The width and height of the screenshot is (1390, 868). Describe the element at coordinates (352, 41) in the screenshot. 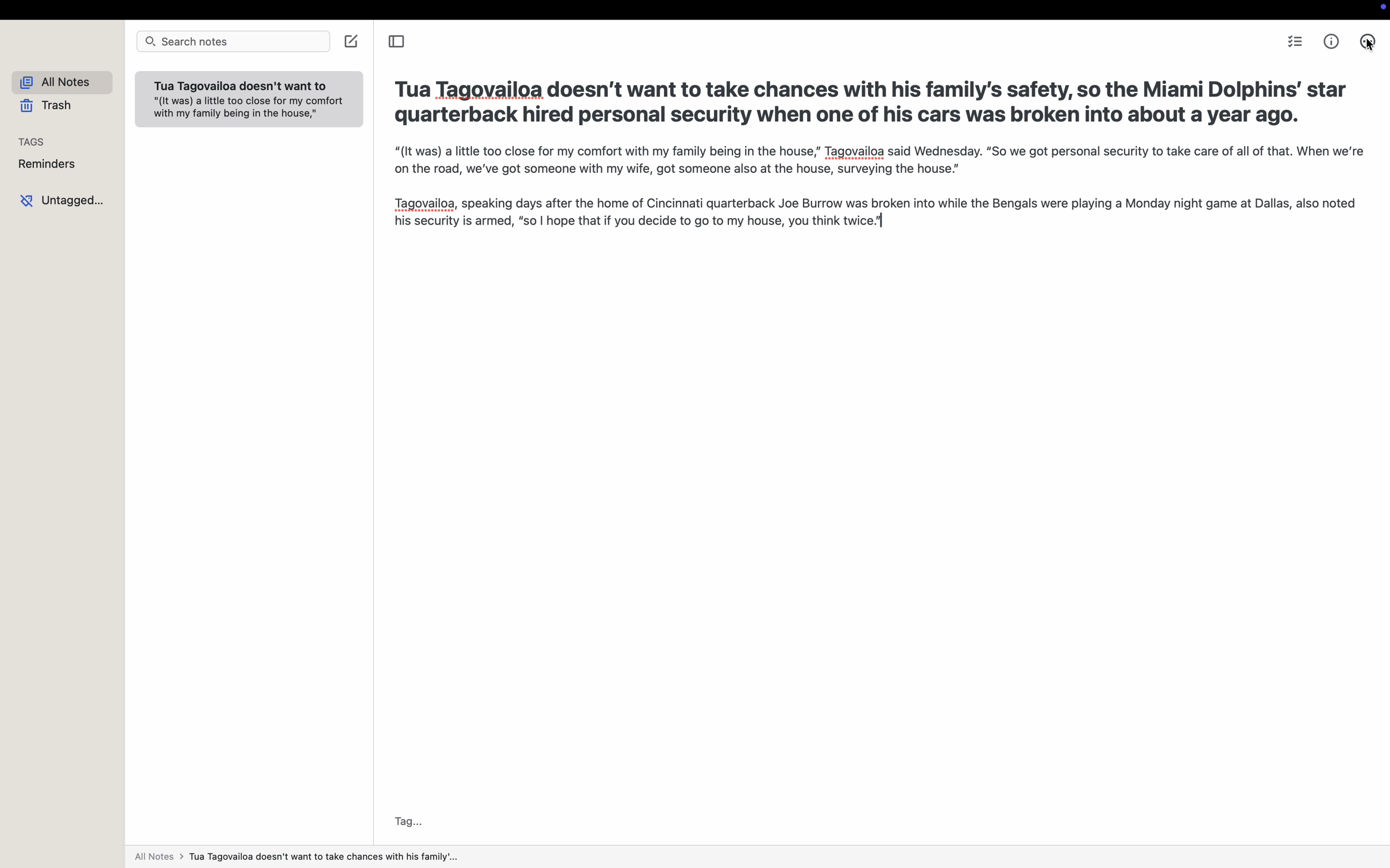

I see `create note` at that location.